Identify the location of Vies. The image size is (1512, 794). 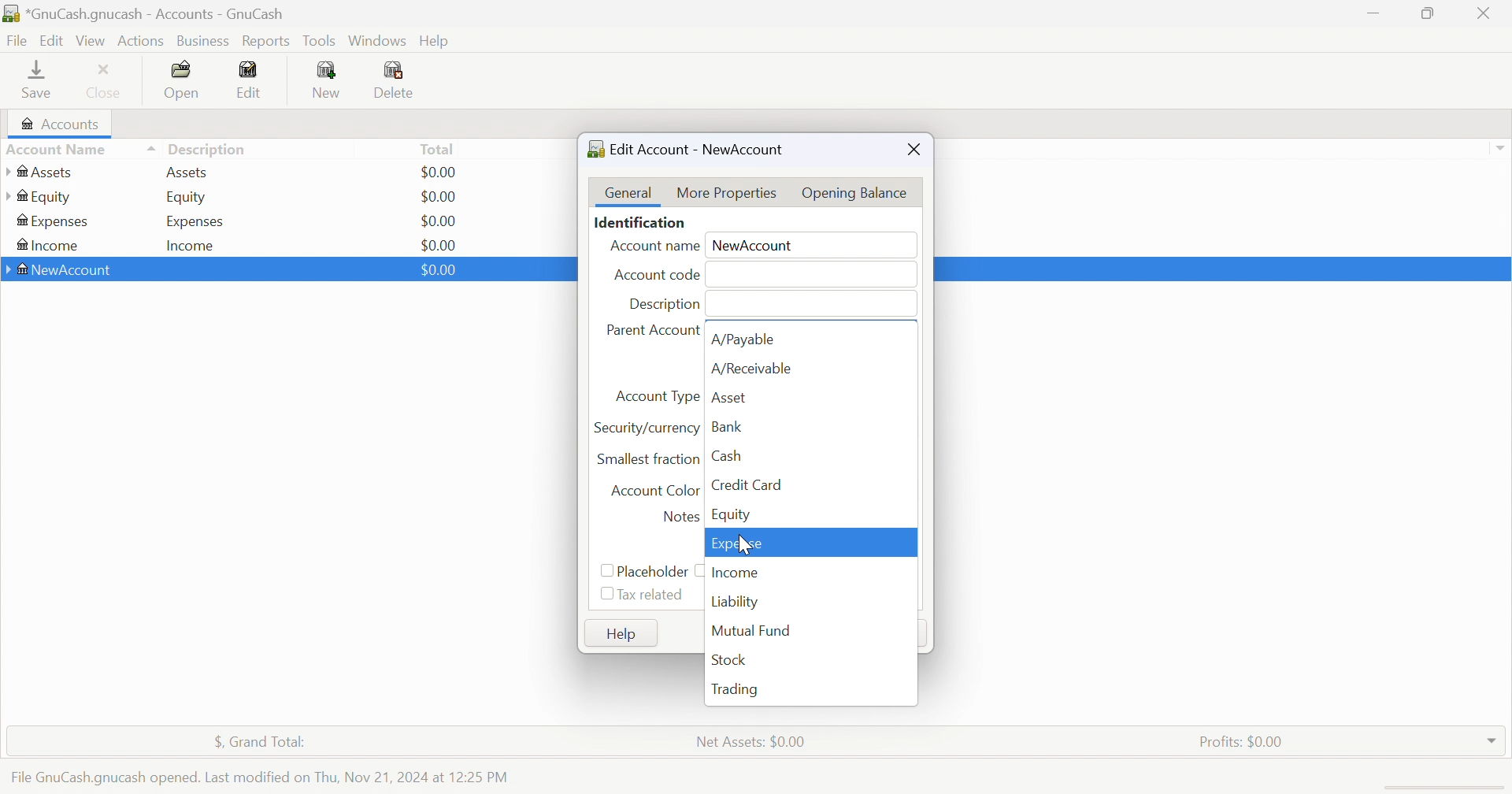
(91, 40).